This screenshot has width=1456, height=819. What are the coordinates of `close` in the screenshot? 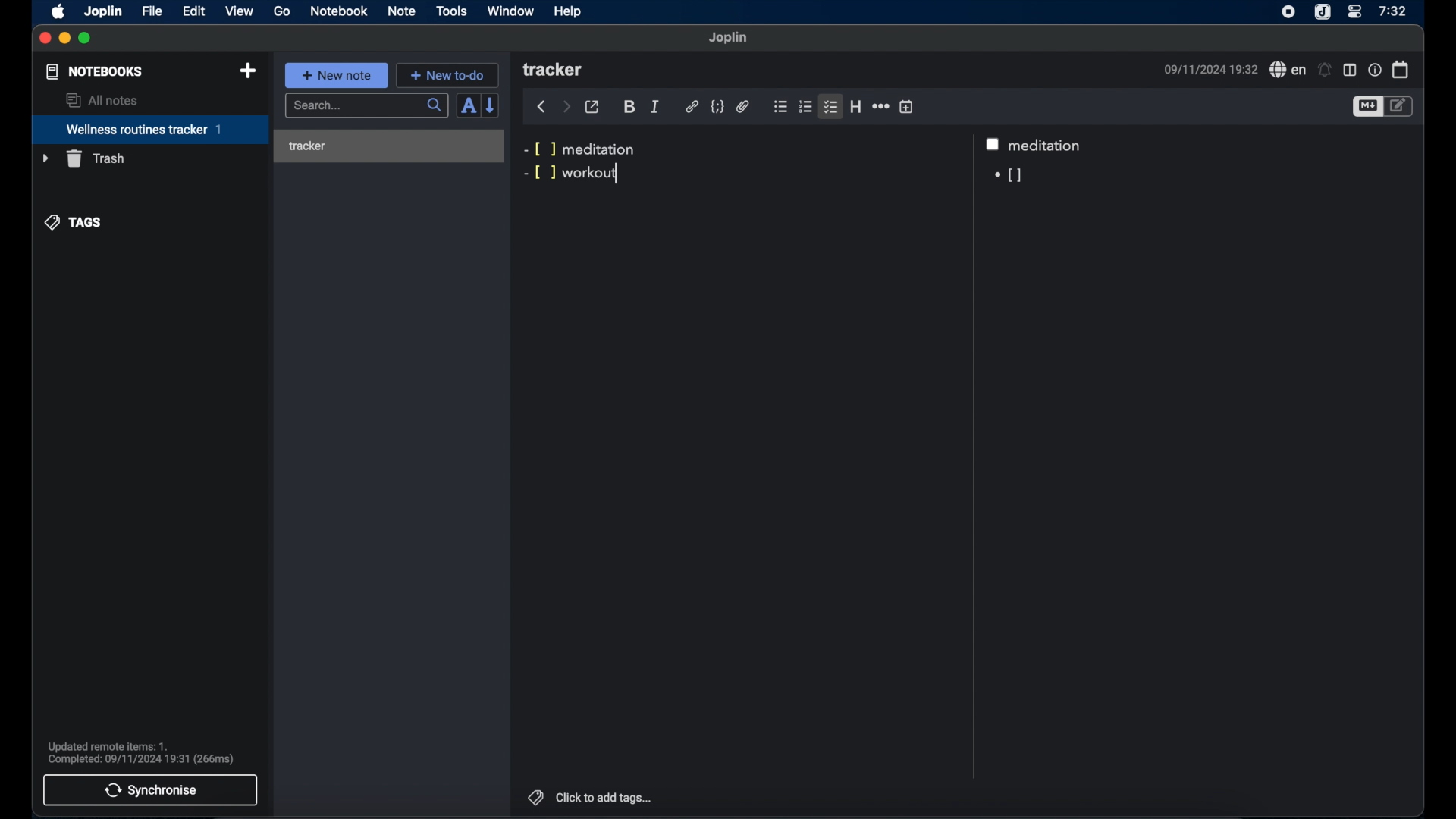 It's located at (45, 39).